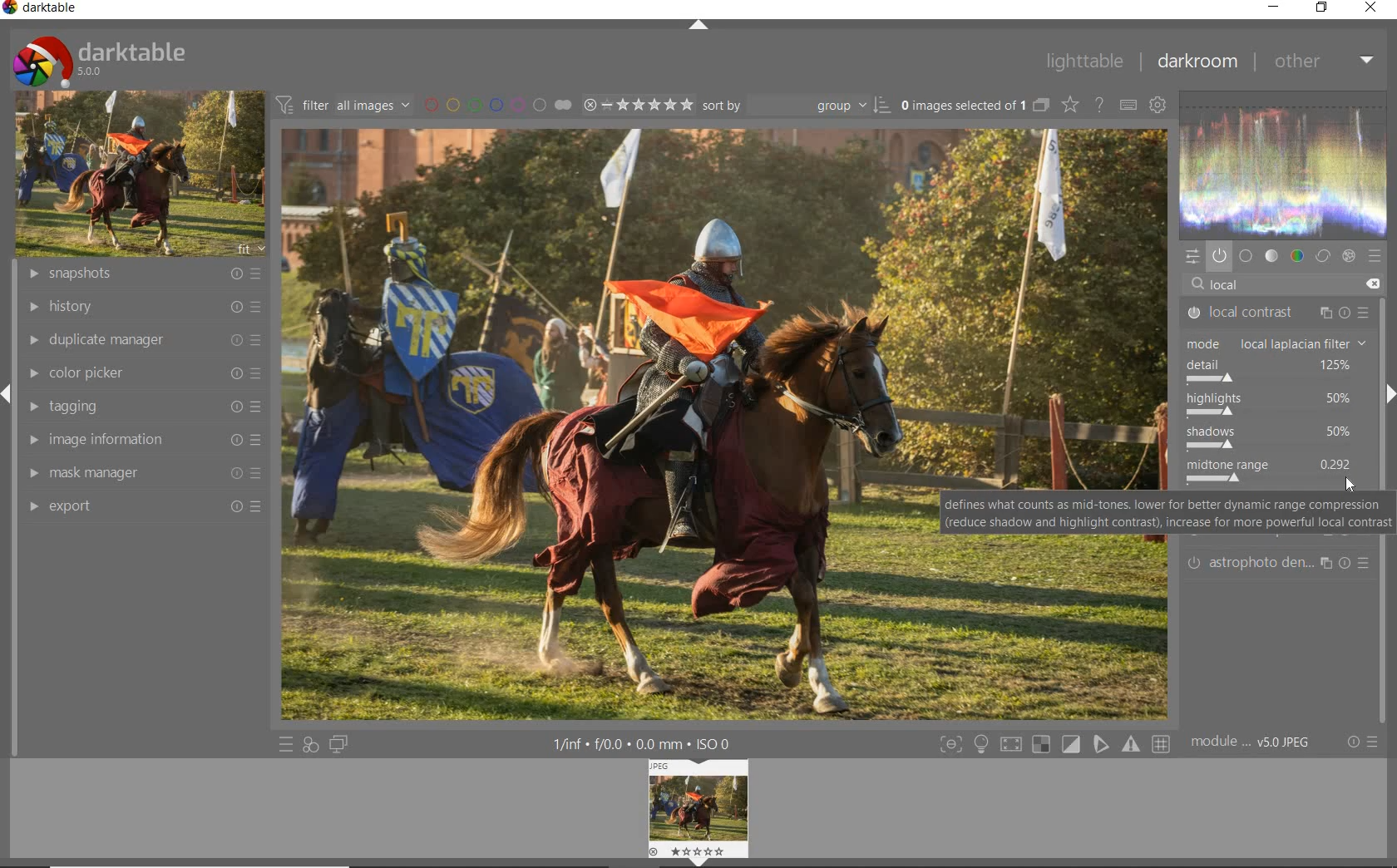 This screenshot has width=1397, height=868. What do you see at coordinates (1355, 485) in the screenshot?
I see `cursor` at bounding box center [1355, 485].